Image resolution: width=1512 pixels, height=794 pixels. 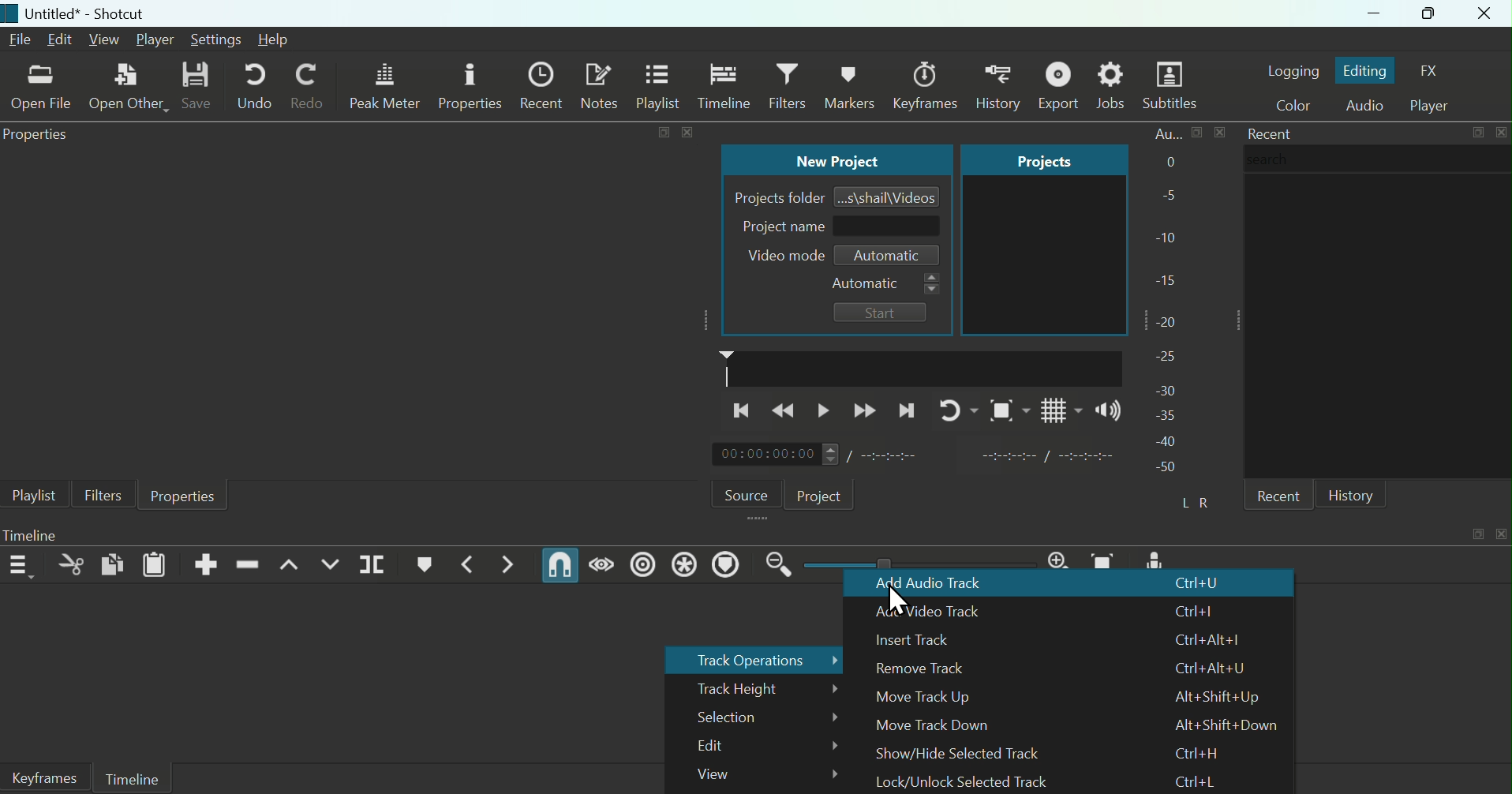 I want to click on Grid layout, so click(x=1060, y=409).